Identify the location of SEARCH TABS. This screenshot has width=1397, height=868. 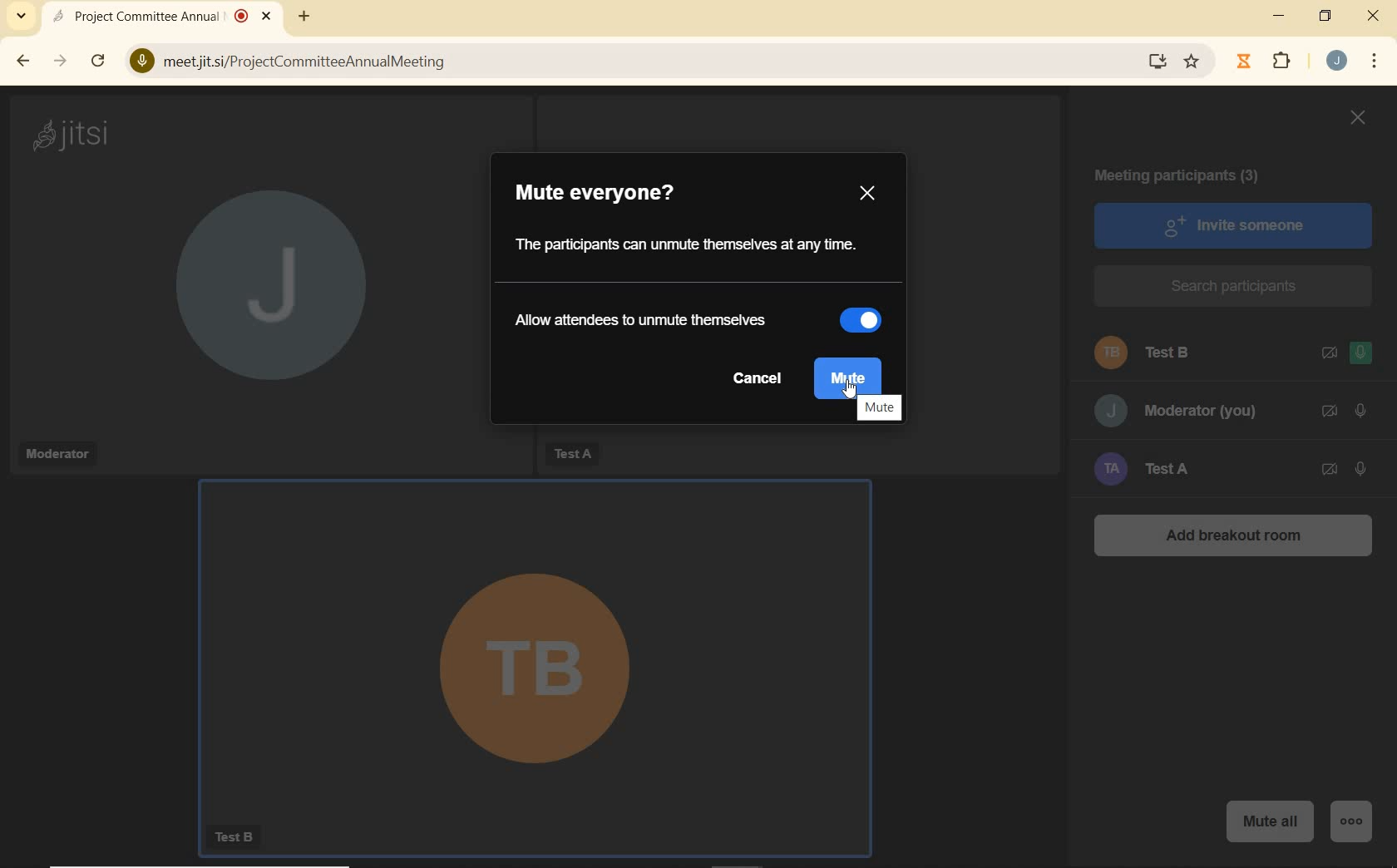
(18, 19).